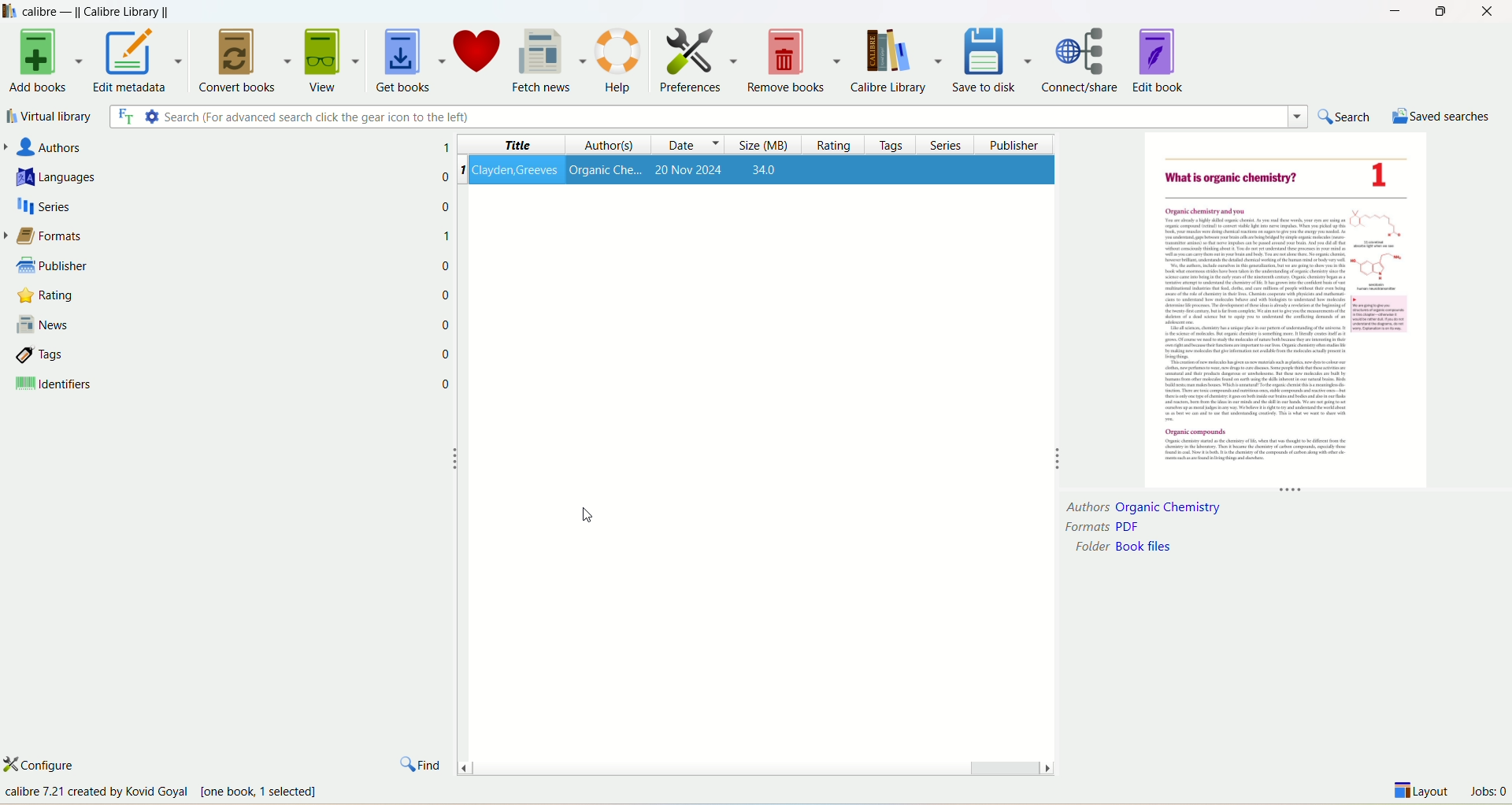 The width and height of the screenshot is (1512, 805). I want to click on fetch news, so click(550, 57).